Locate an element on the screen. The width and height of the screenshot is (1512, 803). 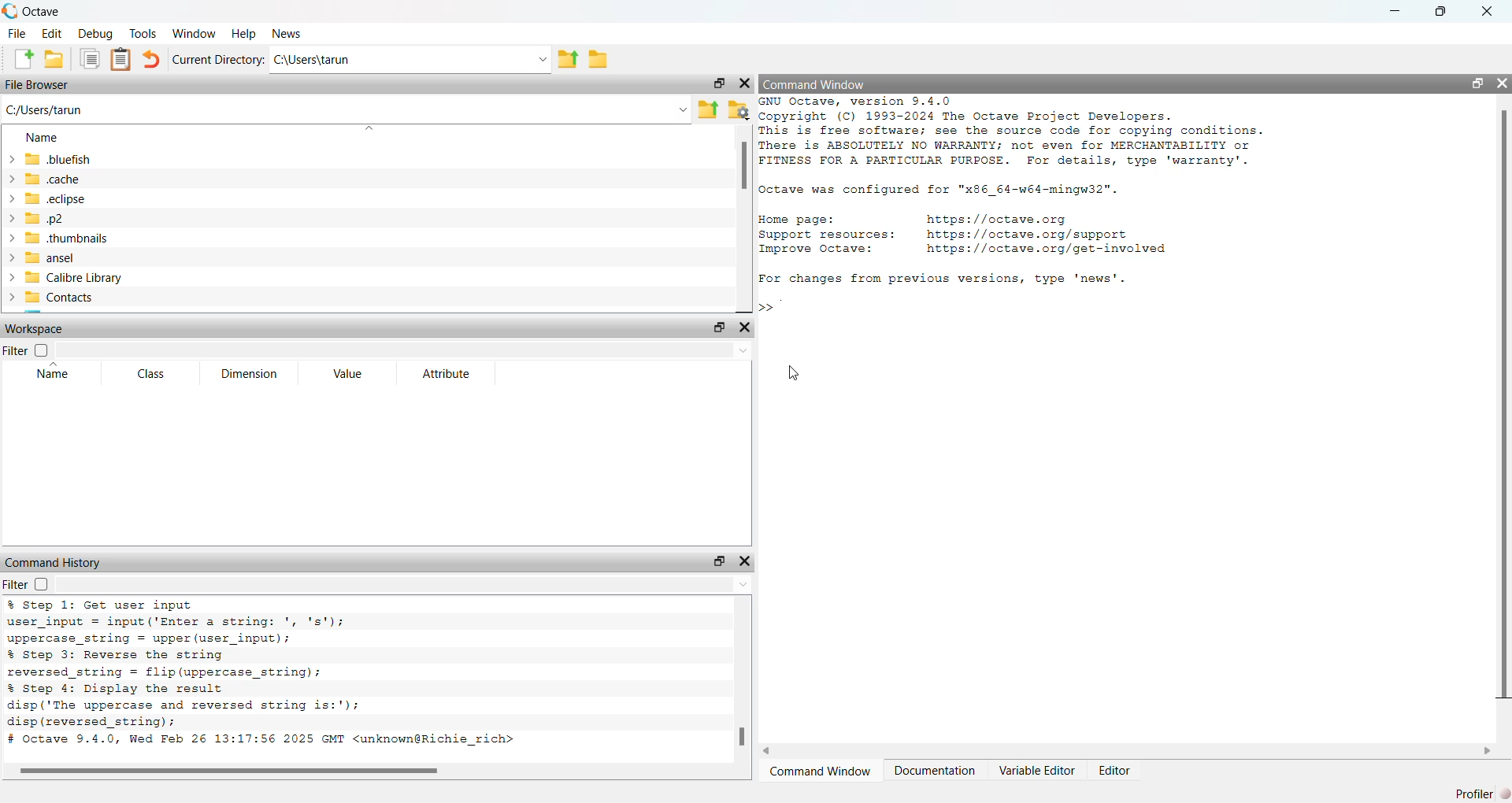
filter input field is located at coordinates (409, 353).